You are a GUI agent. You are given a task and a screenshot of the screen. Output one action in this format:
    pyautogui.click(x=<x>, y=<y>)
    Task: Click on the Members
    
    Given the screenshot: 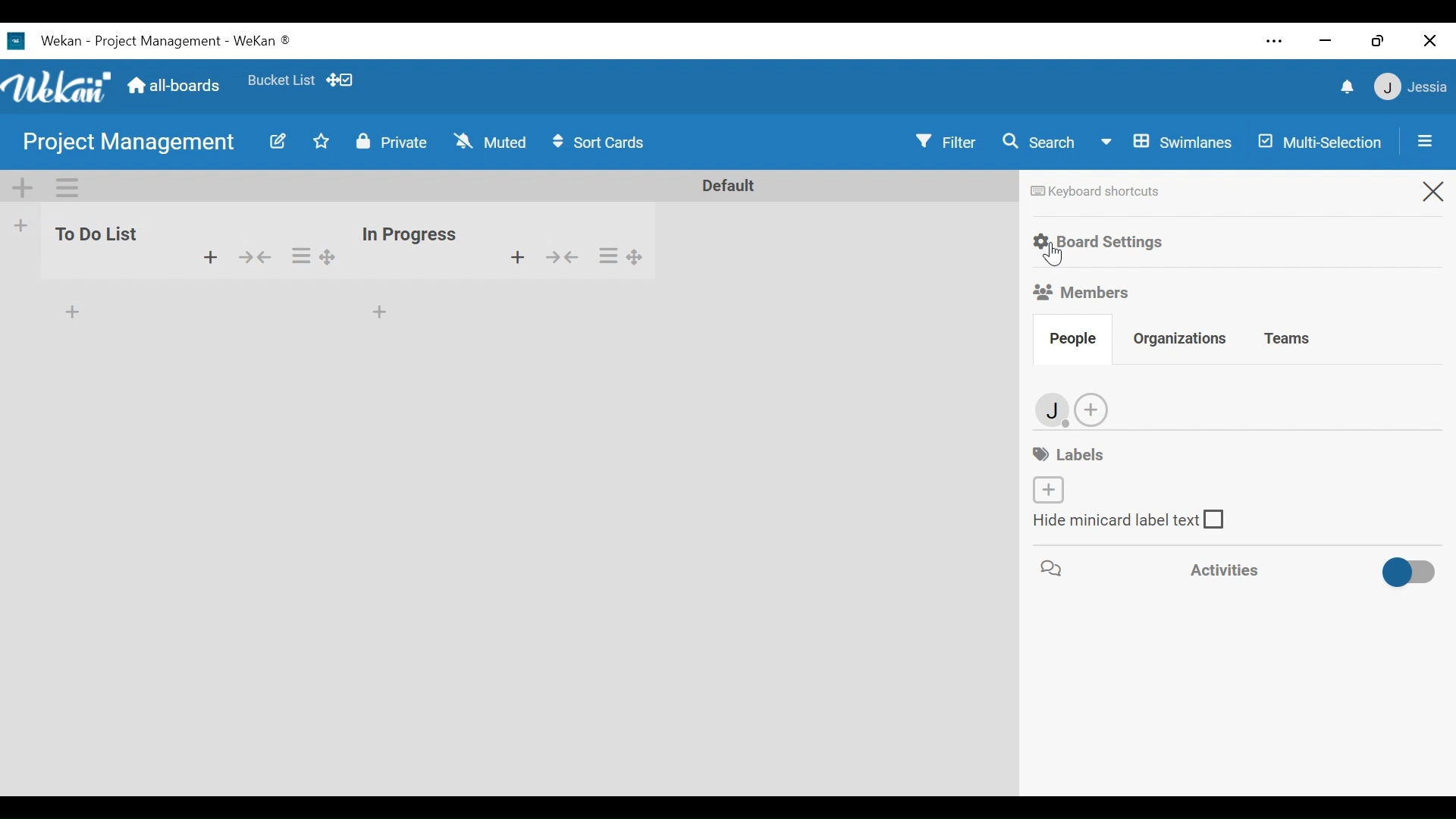 What is the action you would take?
    pyautogui.click(x=1081, y=291)
    